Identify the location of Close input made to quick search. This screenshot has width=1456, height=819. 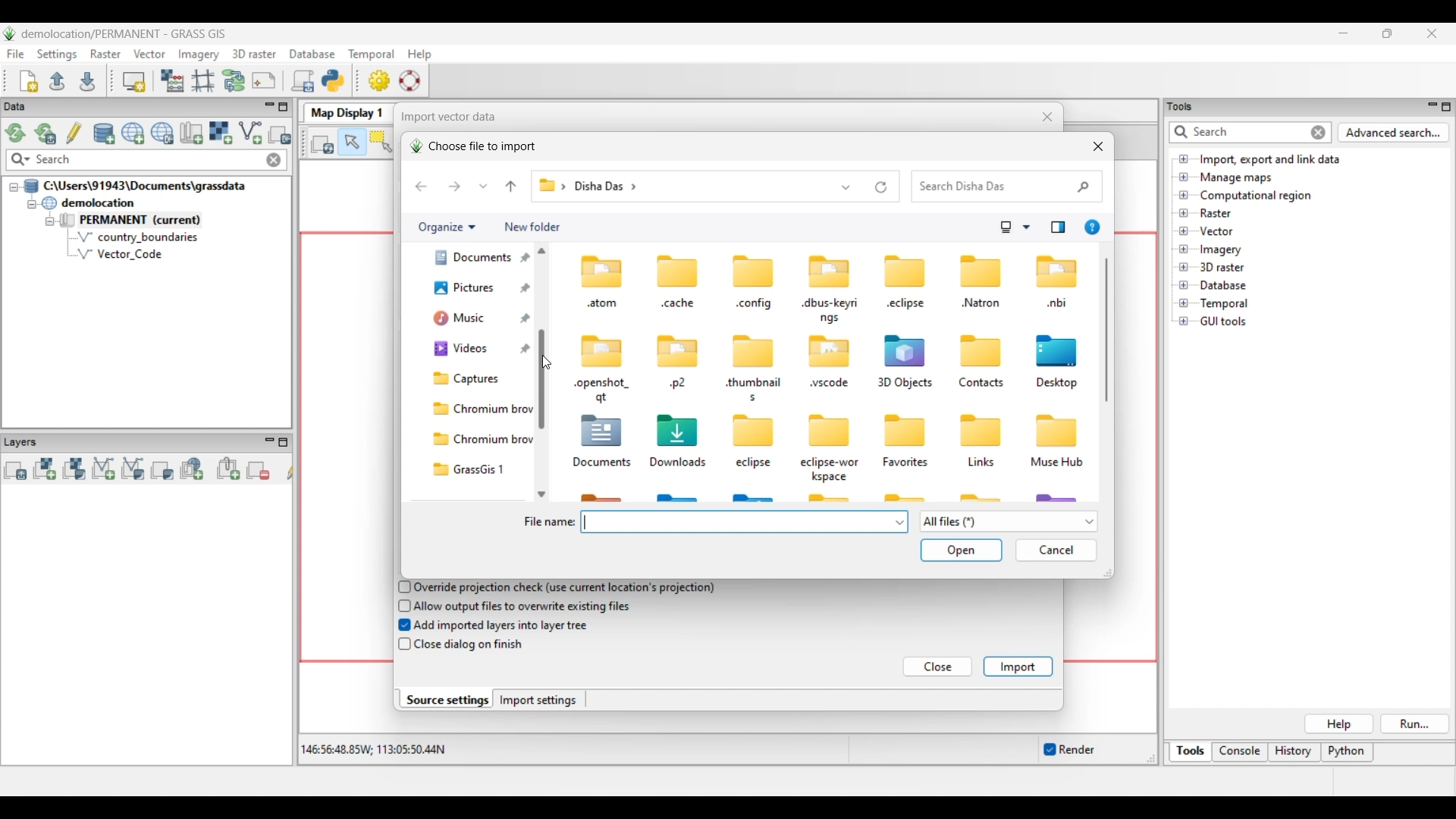
(274, 160).